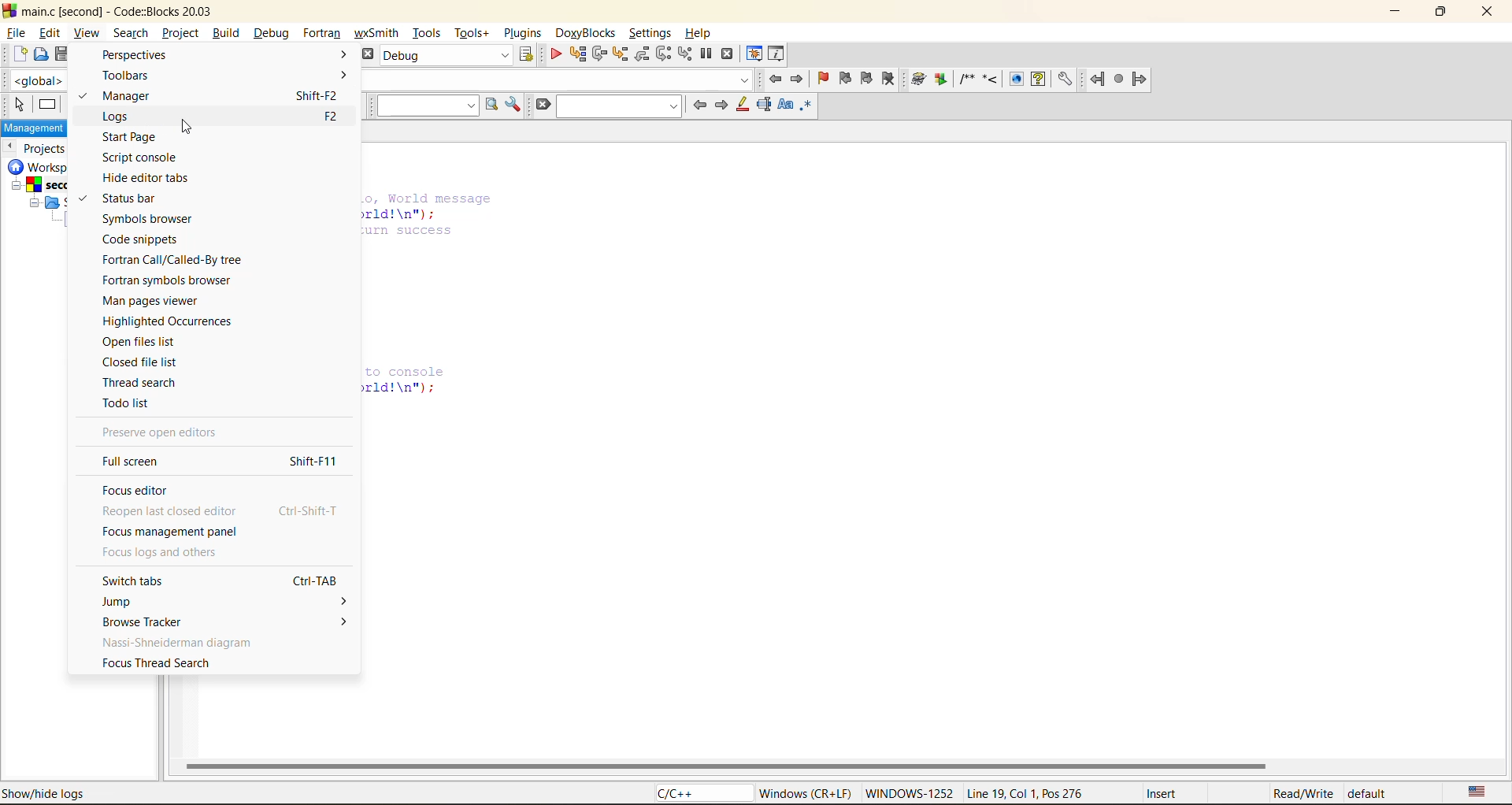  What do you see at coordinates (184, 128) in the screenshot?
I see `Cursor` at bounding box center [184, 128].